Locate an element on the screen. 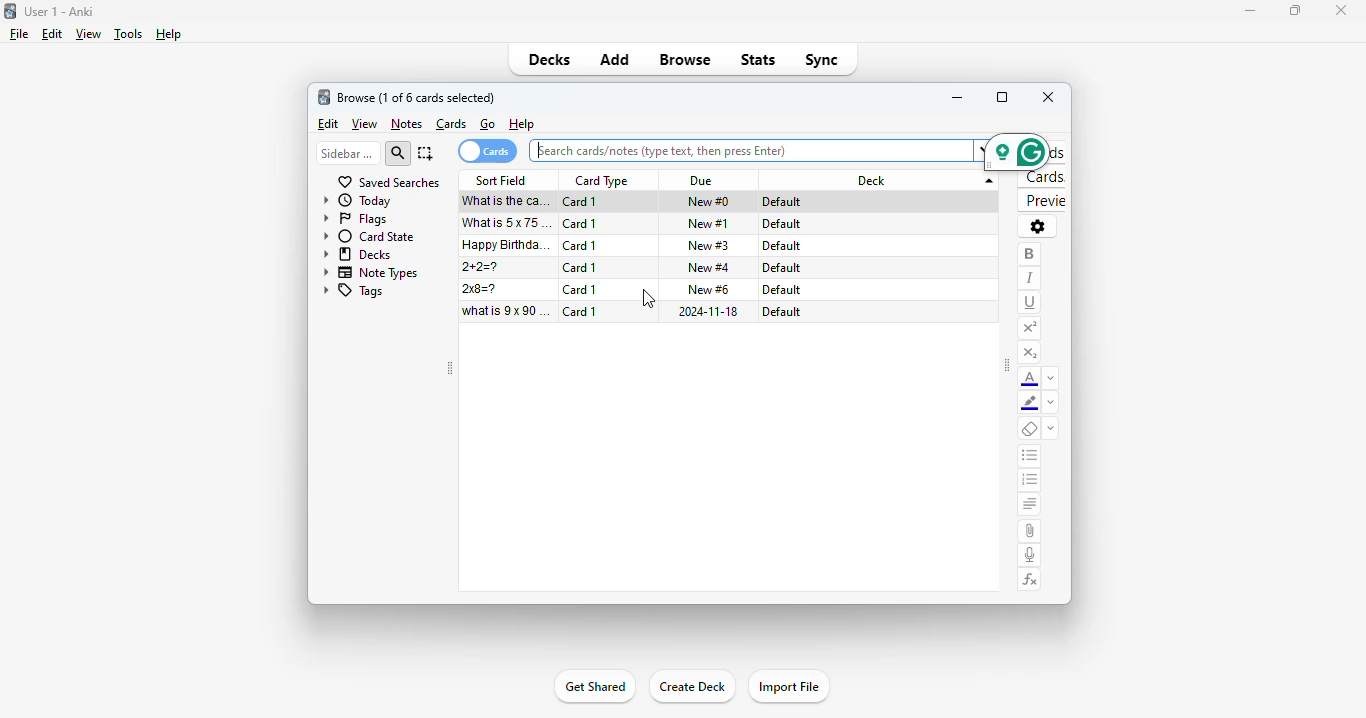 The width and height of the screenshot is (1366, 718). fields is located at coordinates (1042, 153).